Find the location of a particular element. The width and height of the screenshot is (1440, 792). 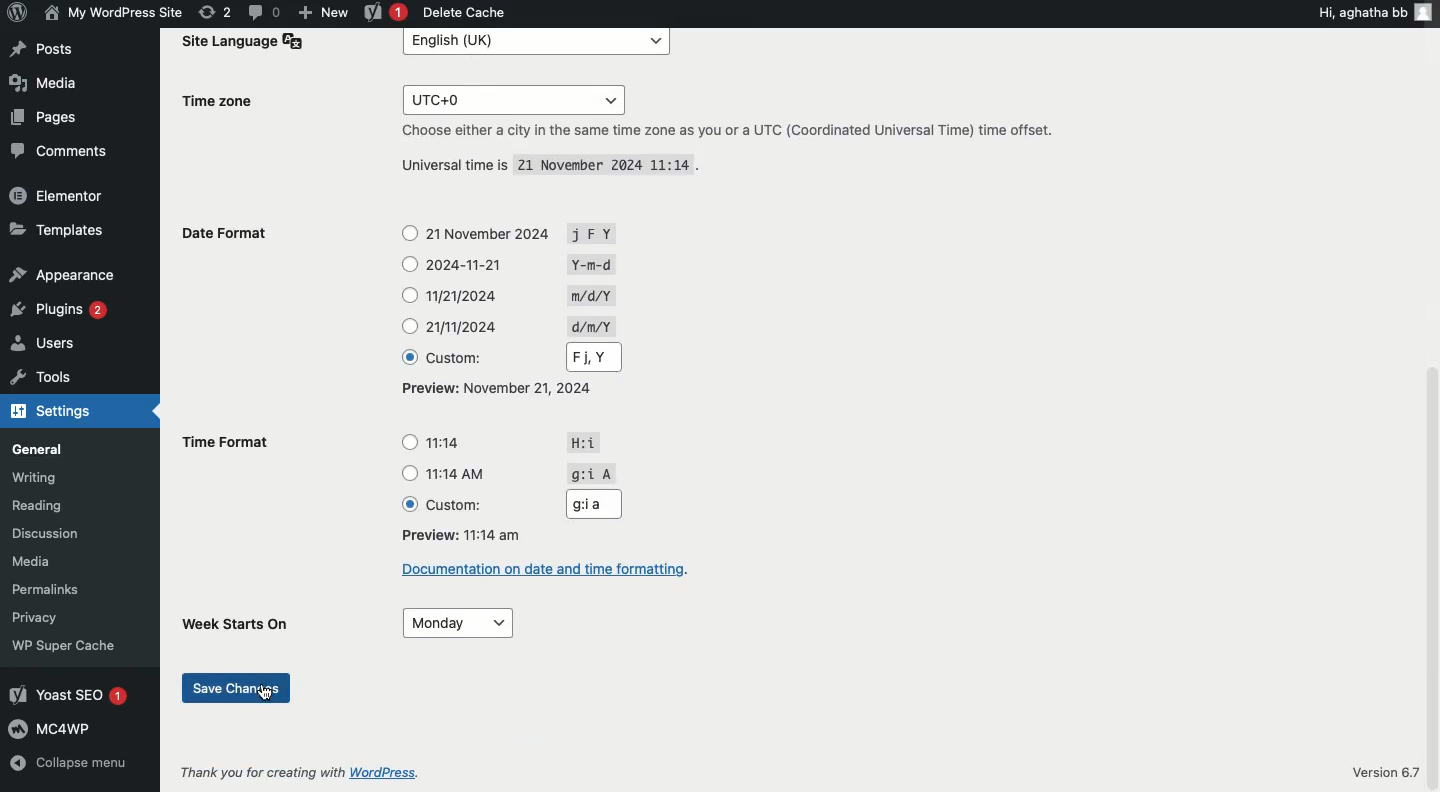

Universal time is 21 November 2024 11:14 is located at coordinates (551, 166).